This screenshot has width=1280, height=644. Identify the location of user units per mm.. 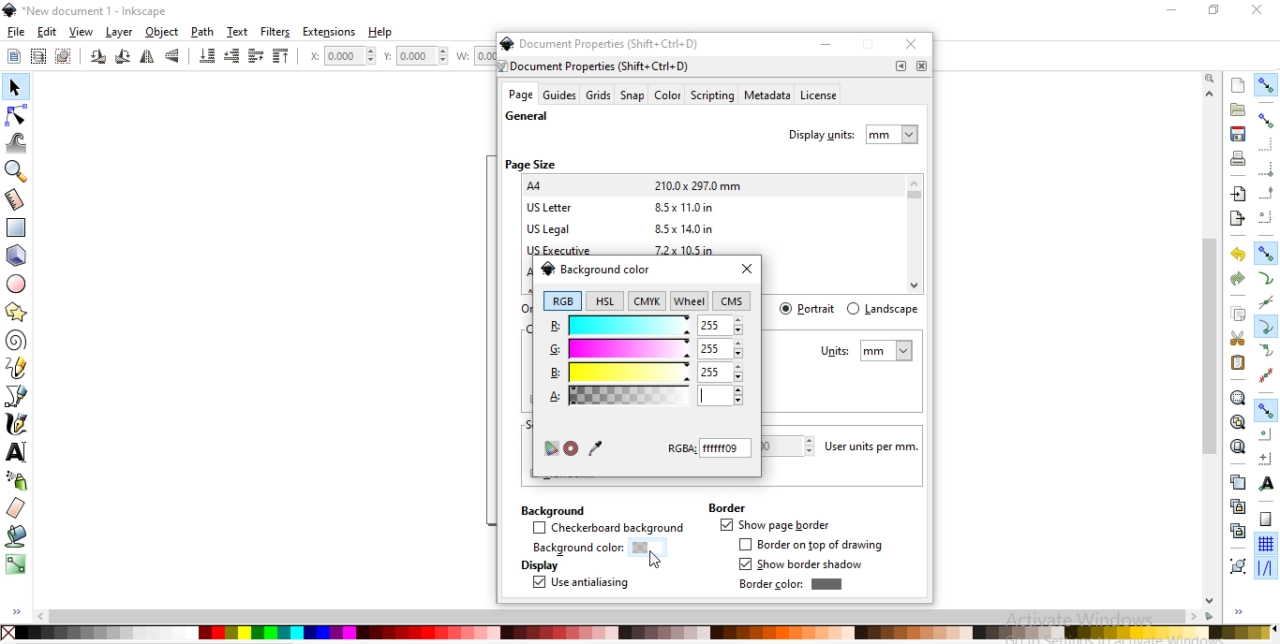
(877, 447).